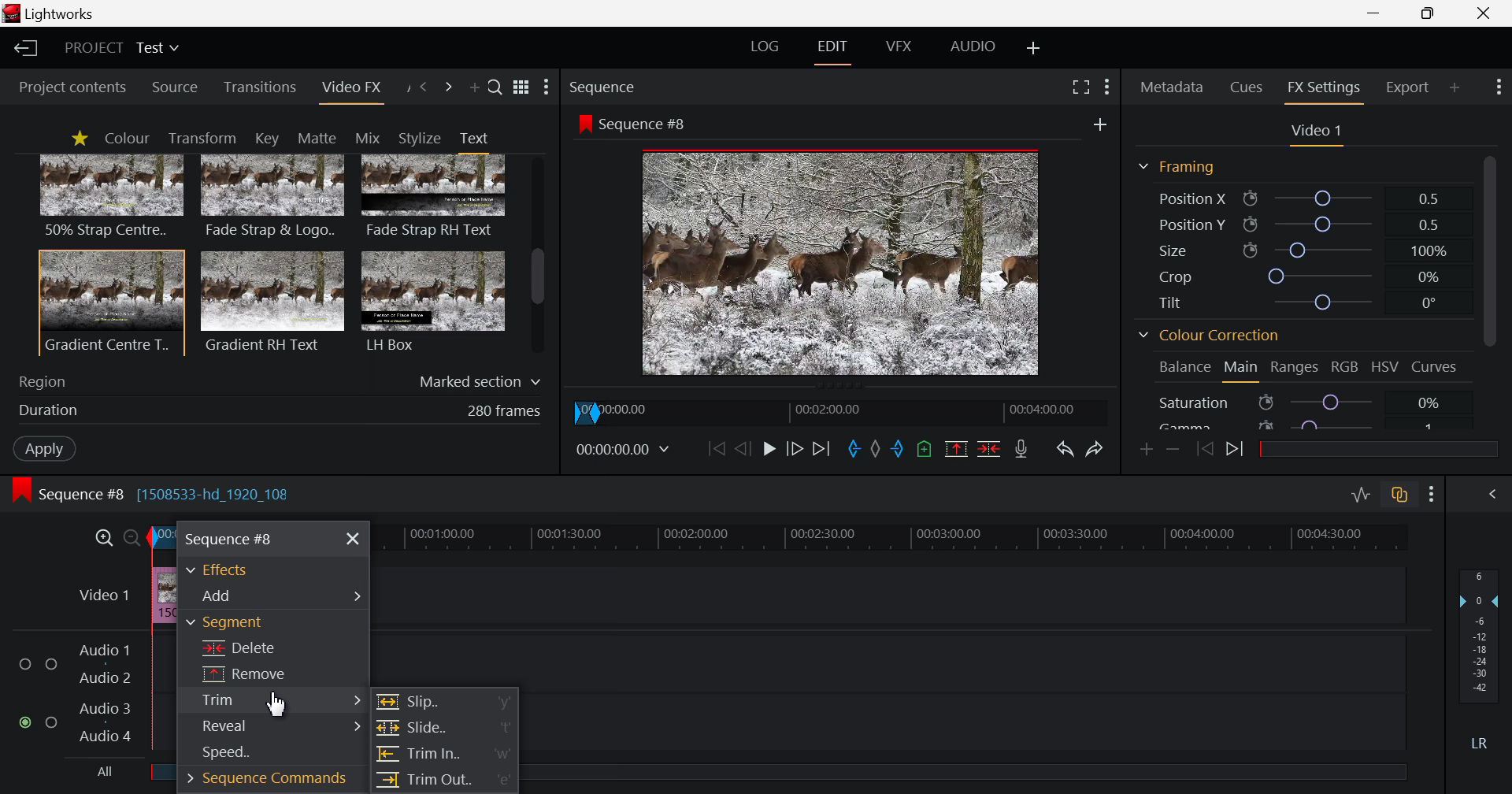 Image resolution: width=1512 pixels, height=794 pixels. What do you see at coordinates (898, 451) in the screenshot?
I see `Mark Out` at bounding box center [898, 451].